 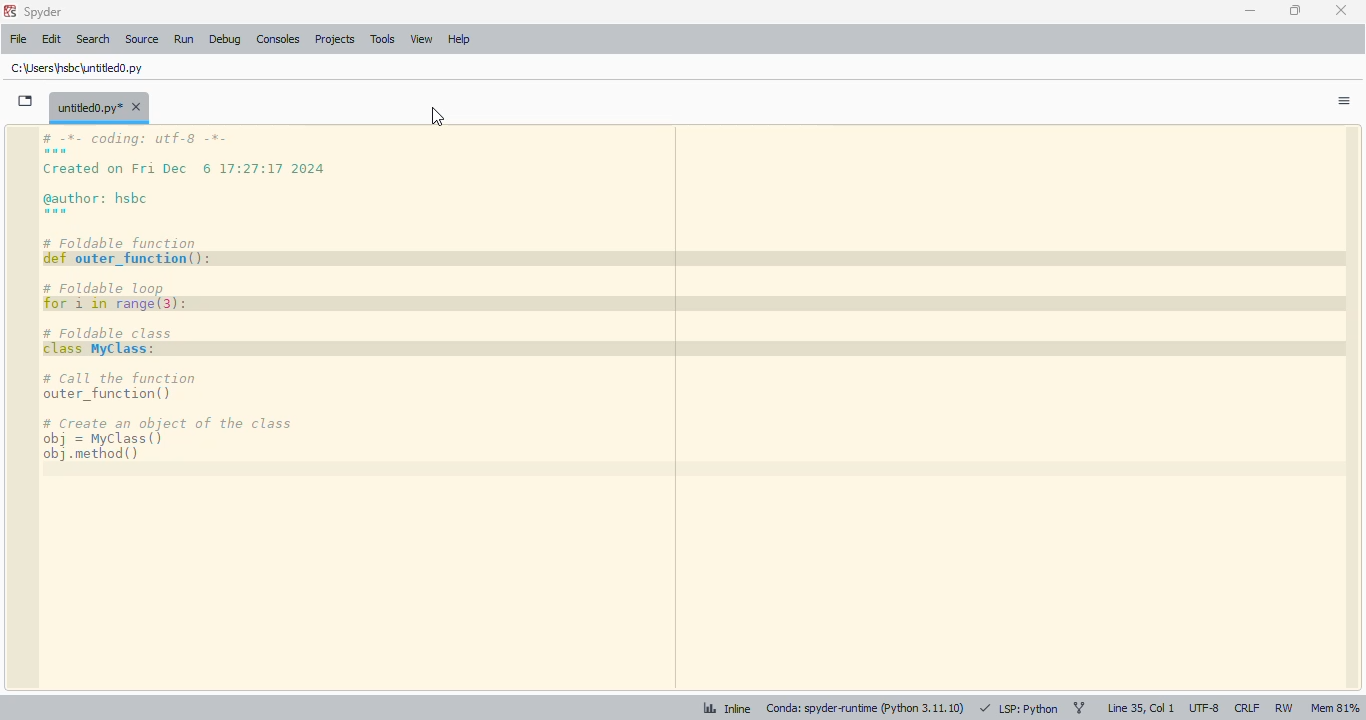 What do you see at coordinates (1251, 11) in the screenshot?
I see `minimize` at bounding box center [1251, 11].